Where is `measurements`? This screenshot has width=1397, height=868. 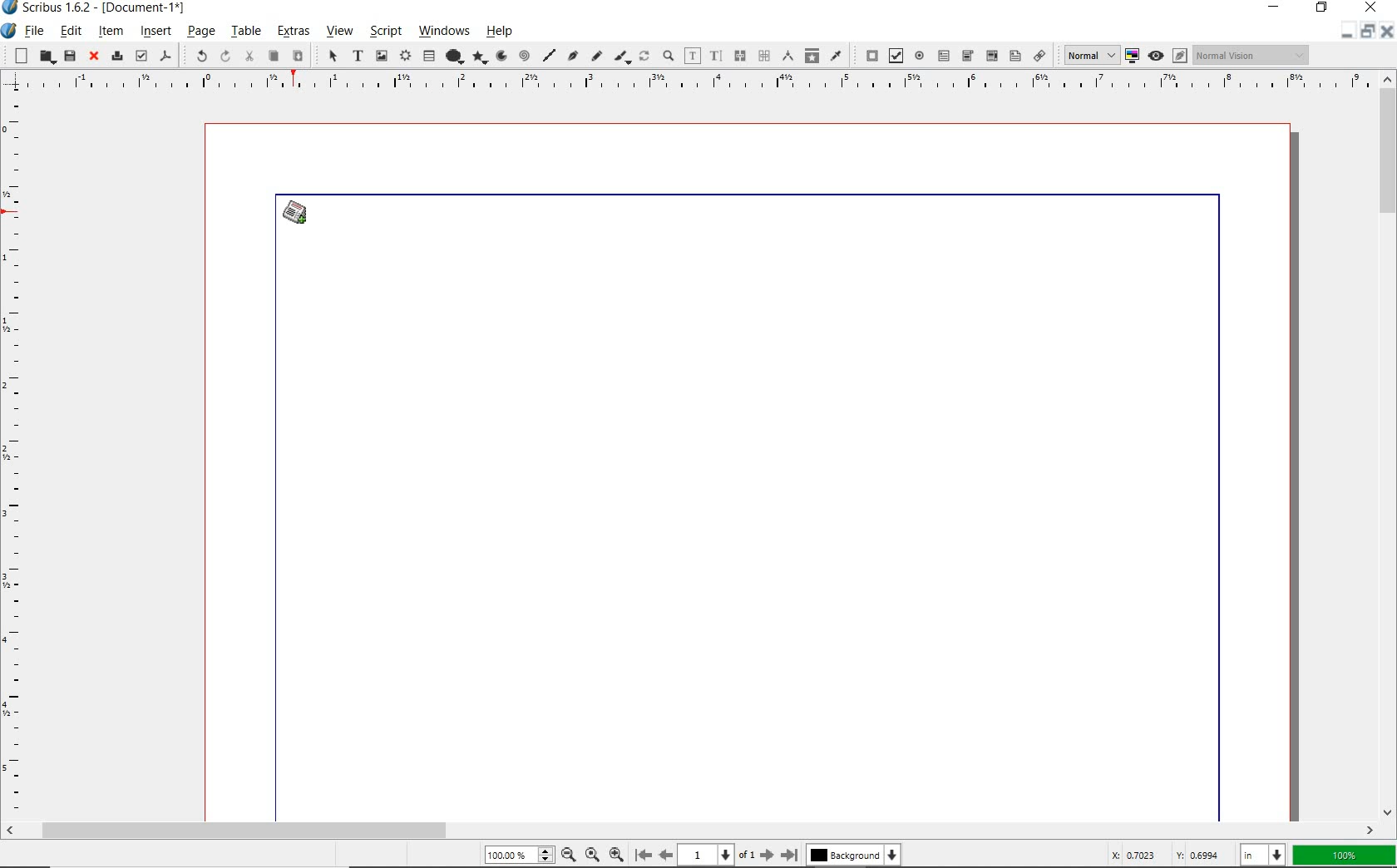
measurements is located at coordinates (789, 56).